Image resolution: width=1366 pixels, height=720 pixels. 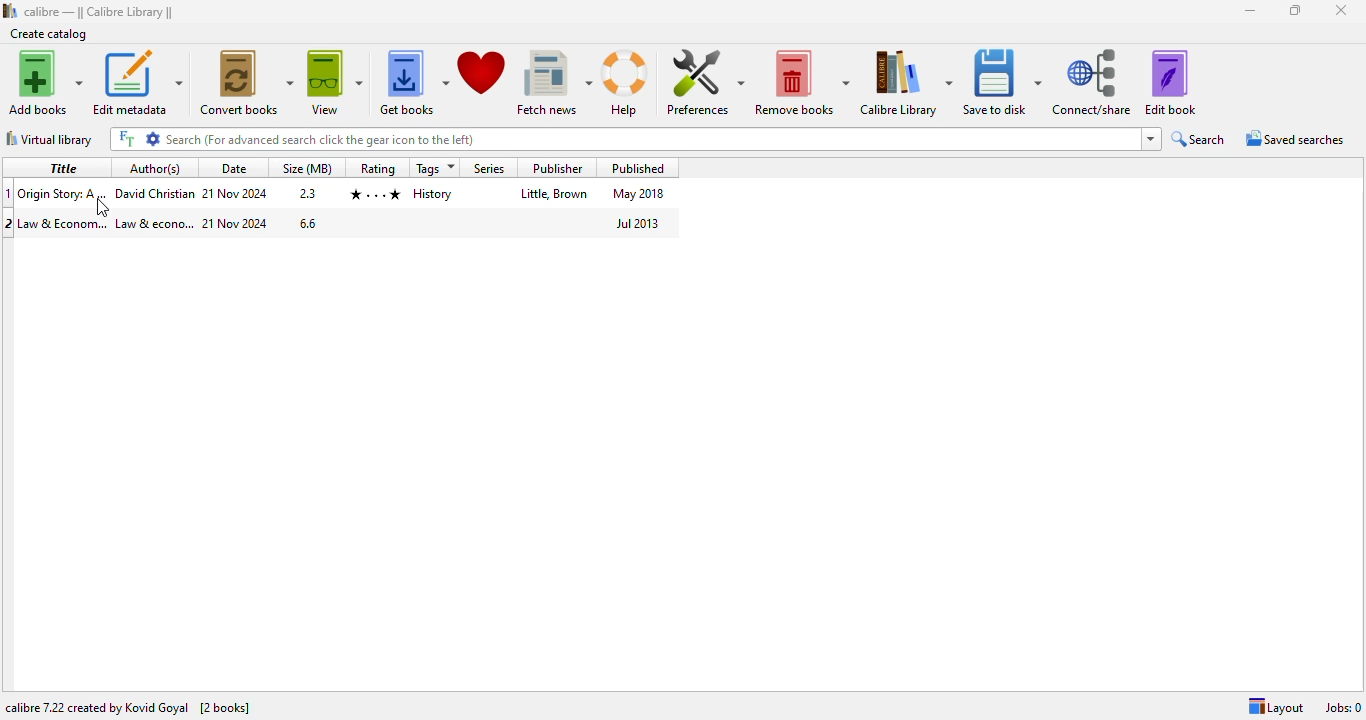 I want to click on donate to support calibre, so click(x=482, y=73).